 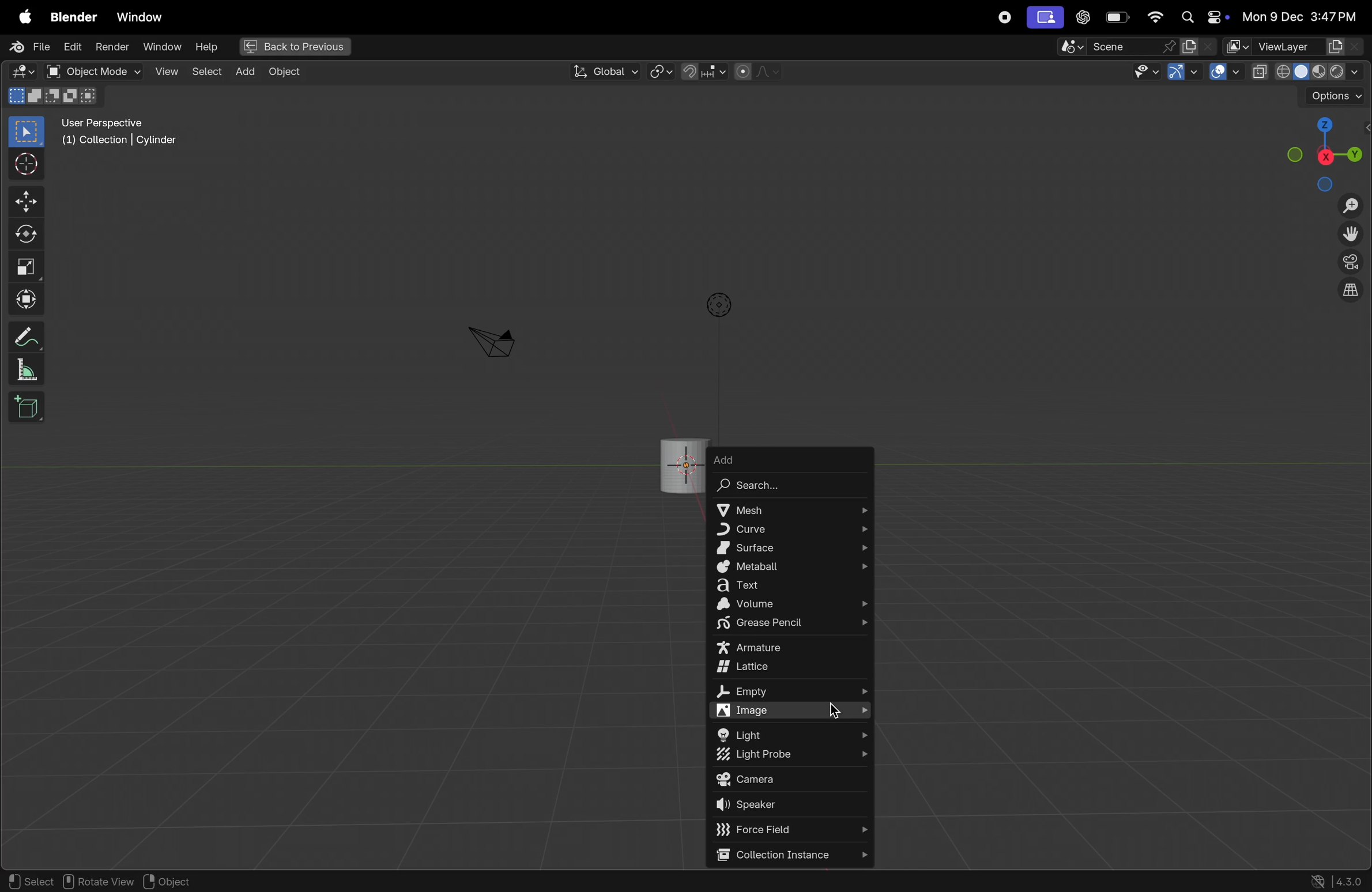 I want to click on empty, so click(x=789, y=693).